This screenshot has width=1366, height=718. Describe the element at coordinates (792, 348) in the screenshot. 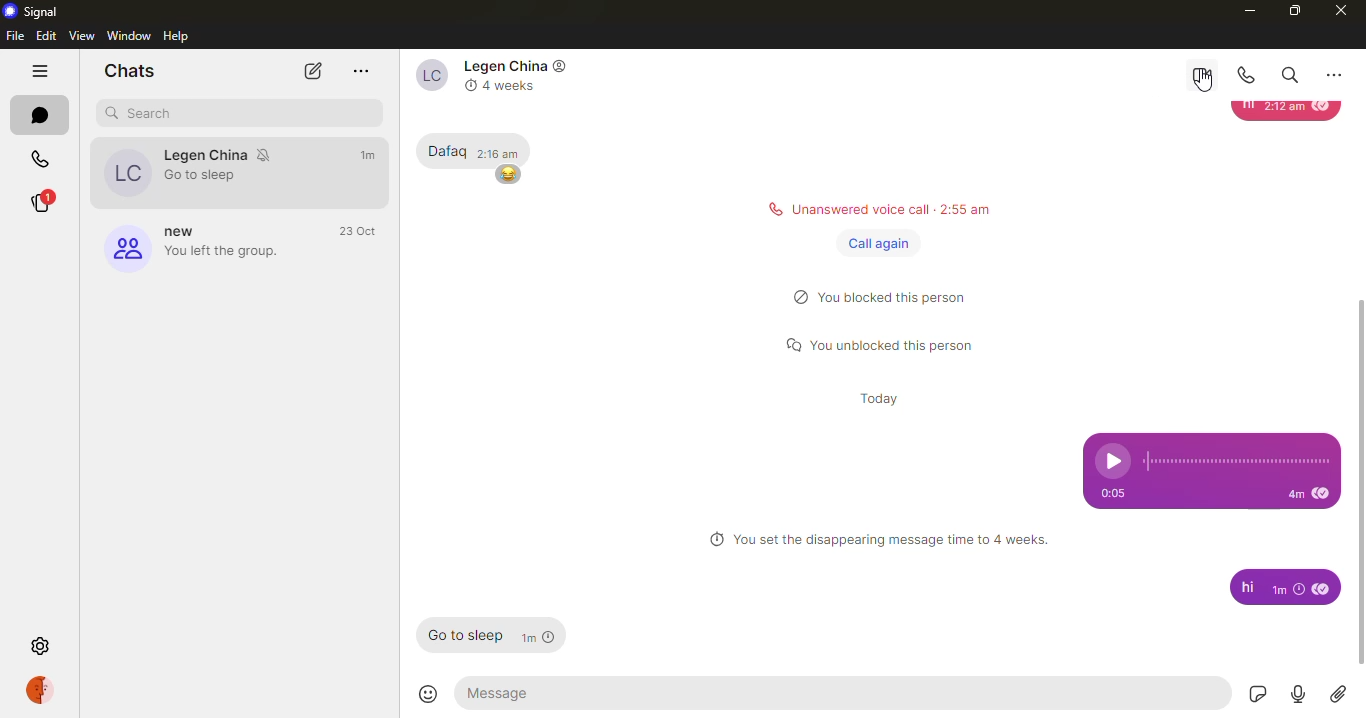

I see `message logo` at that location.